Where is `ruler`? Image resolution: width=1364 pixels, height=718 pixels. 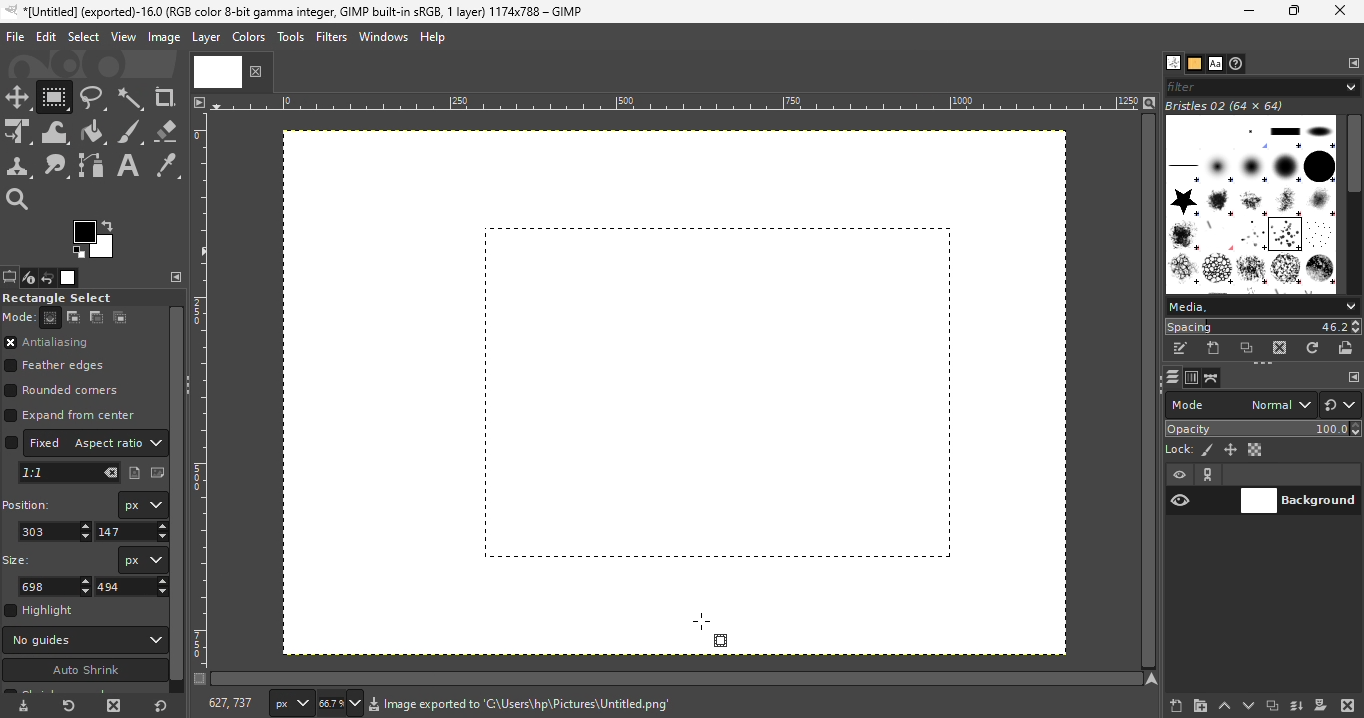
ruler is located at coordinates (670, 109).